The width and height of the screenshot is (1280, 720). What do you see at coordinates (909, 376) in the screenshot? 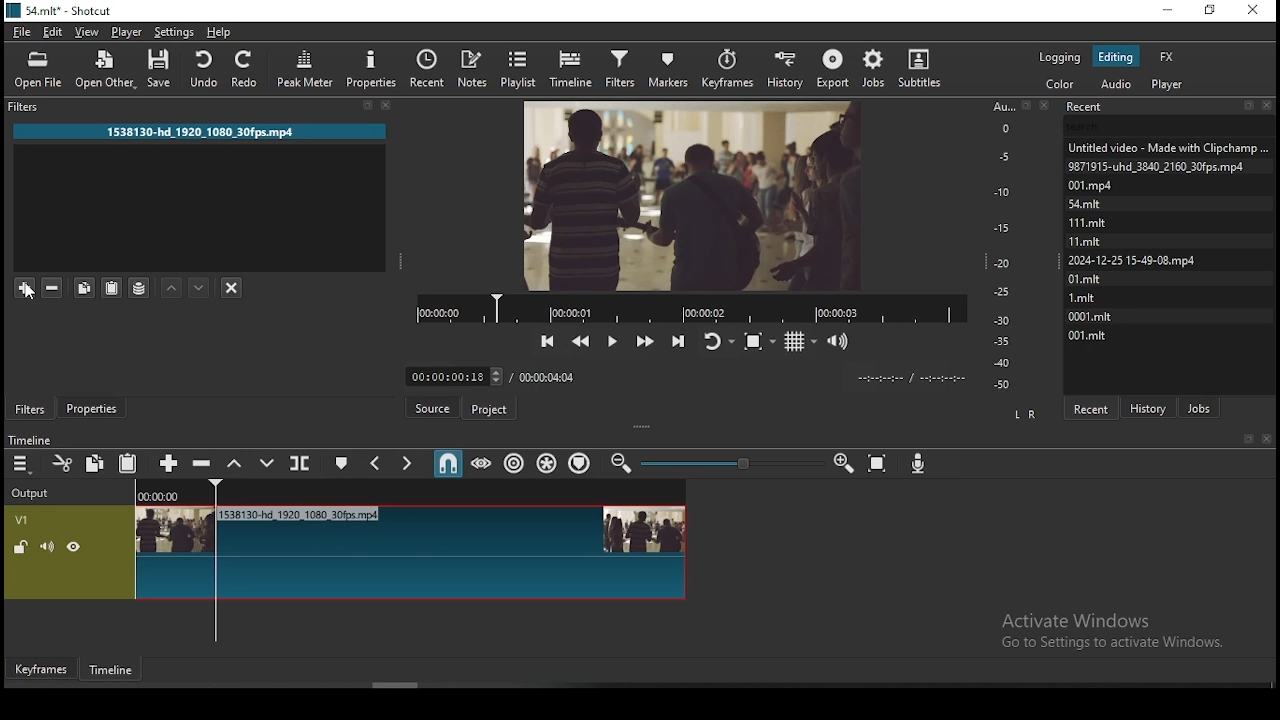
I see `time format` at bounding box center [909, 376].